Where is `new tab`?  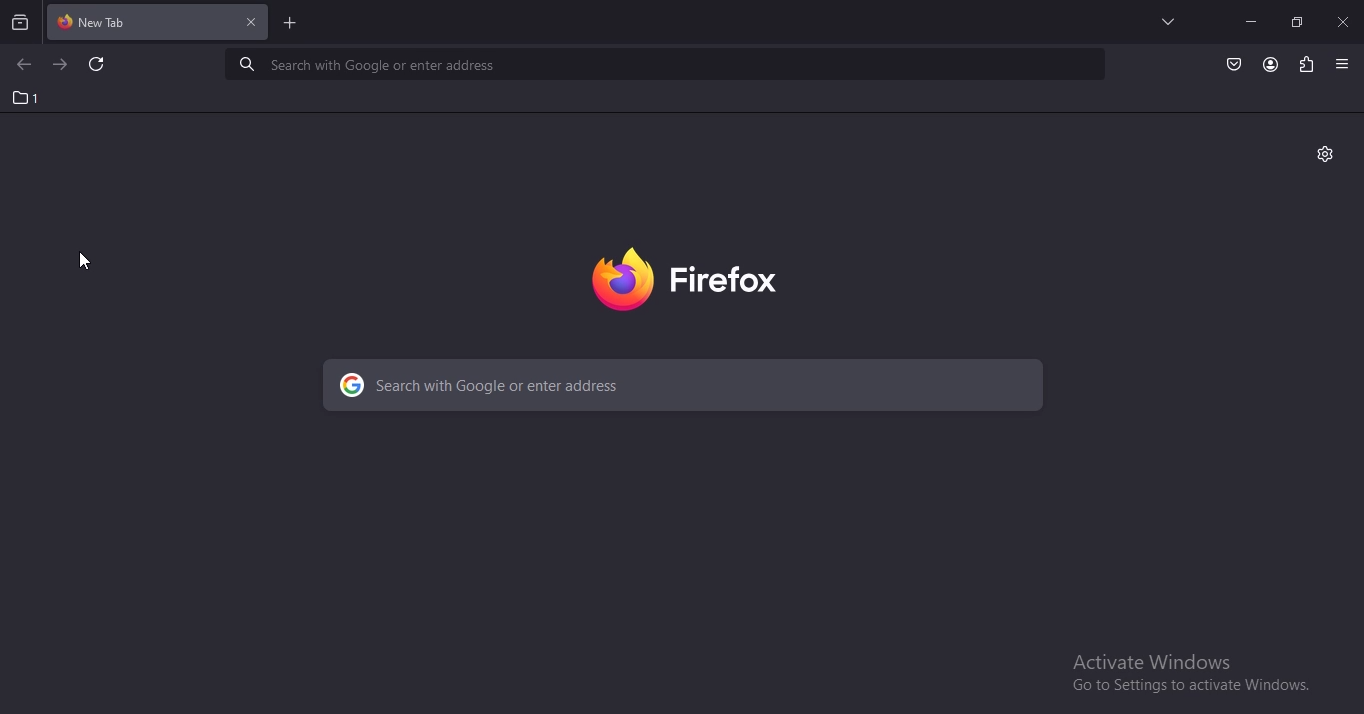
new tab is located at coordinates (290, 22).